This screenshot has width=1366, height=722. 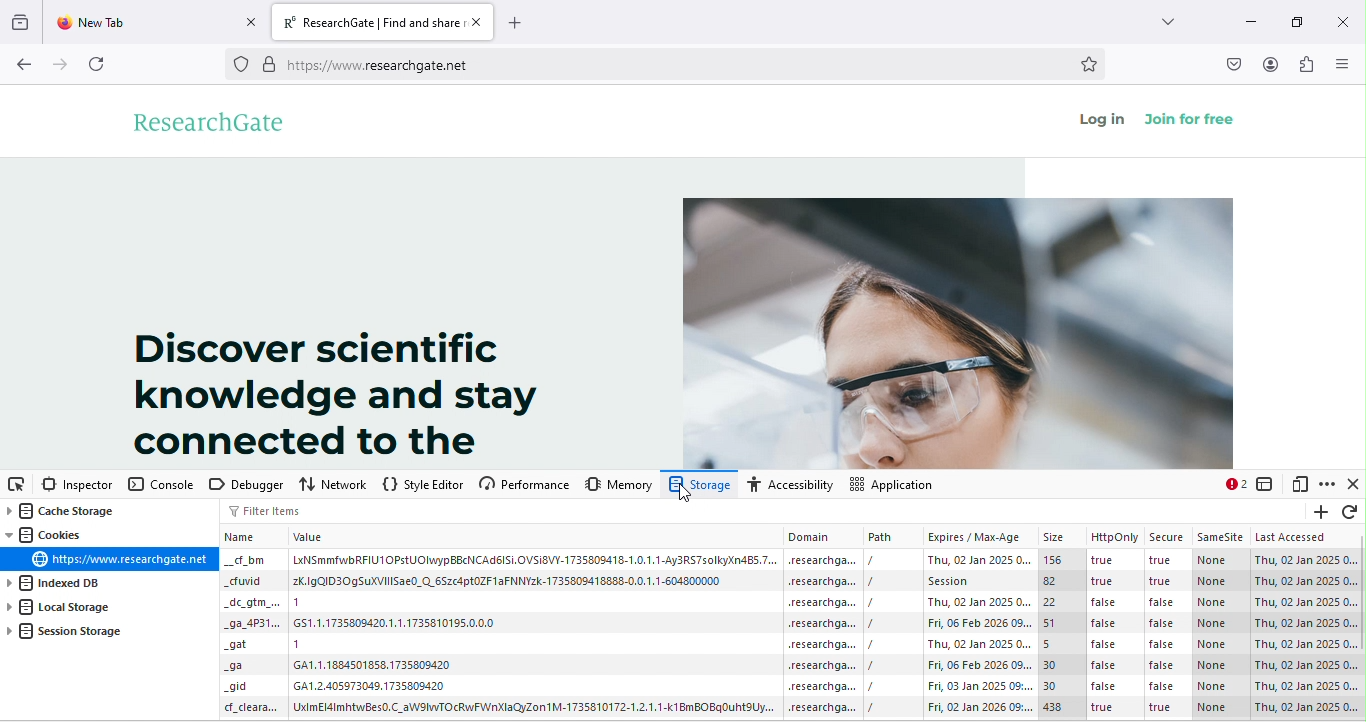 I want to click on secure , so click(x=268, y=65).